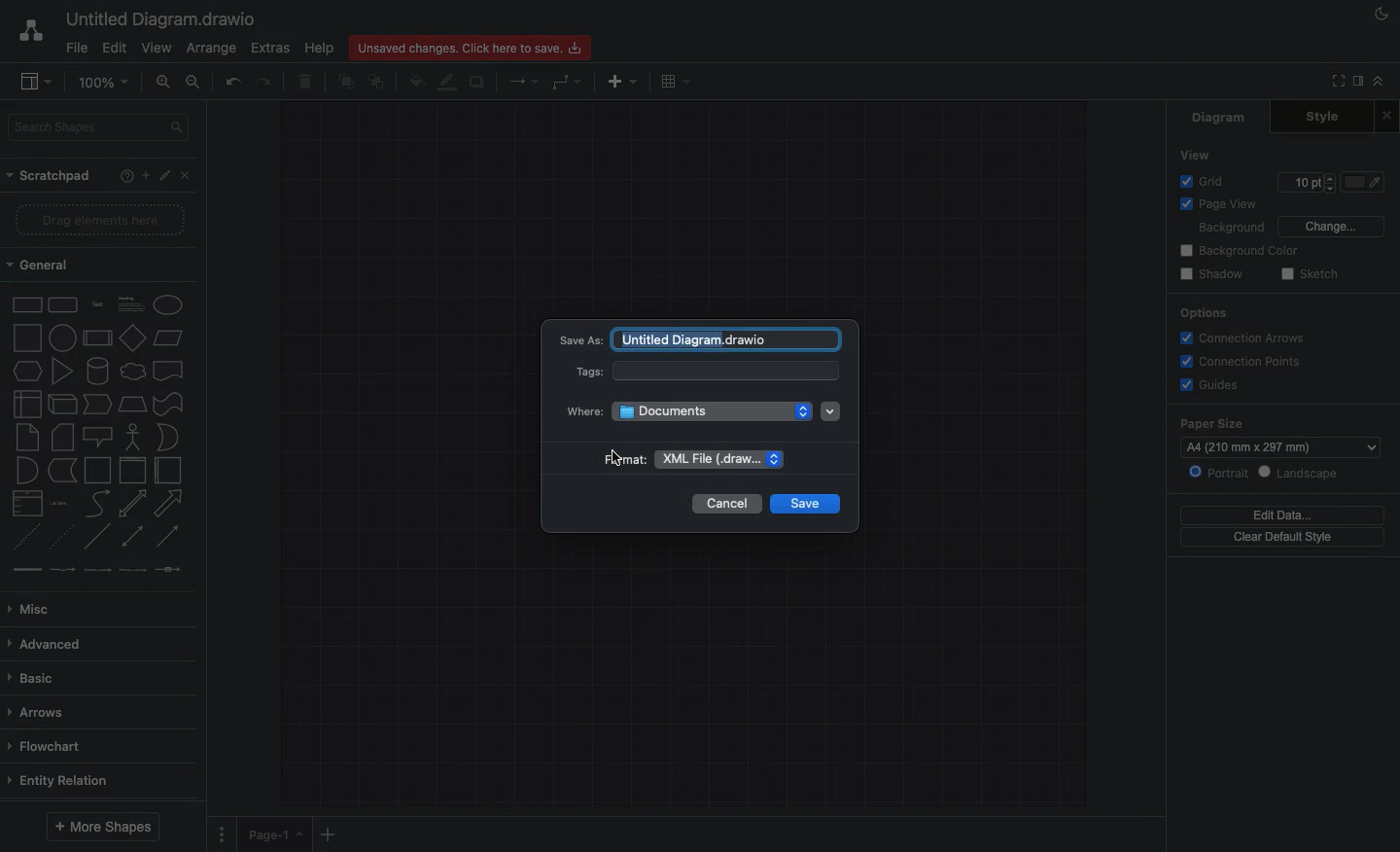  What do you see at coordinates (44, 747) in the screenshot?
I see `Flowchart` at bounding box center [44, 747].